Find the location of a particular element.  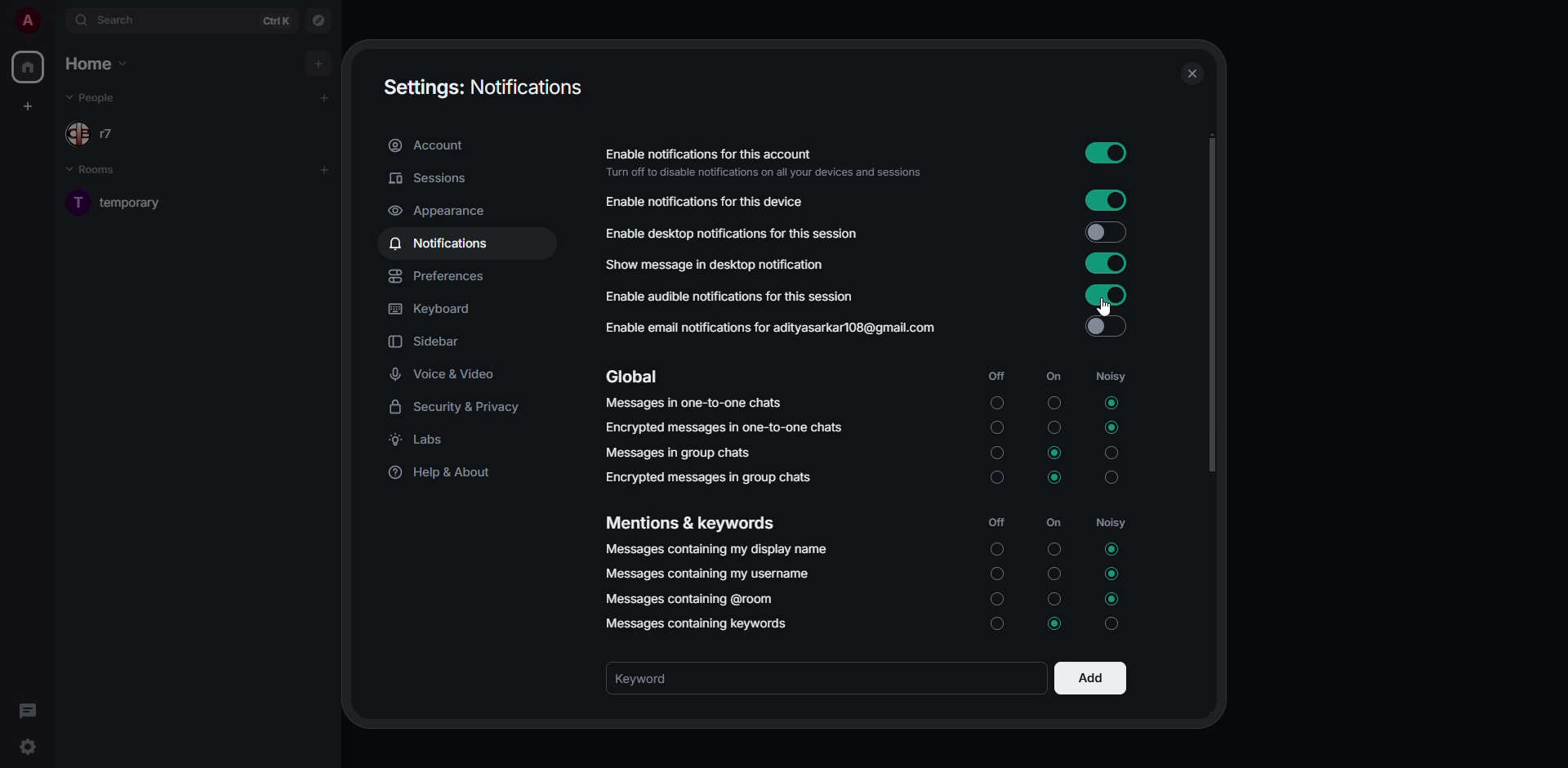

Off Unselected is located at coordinates (996, 550).